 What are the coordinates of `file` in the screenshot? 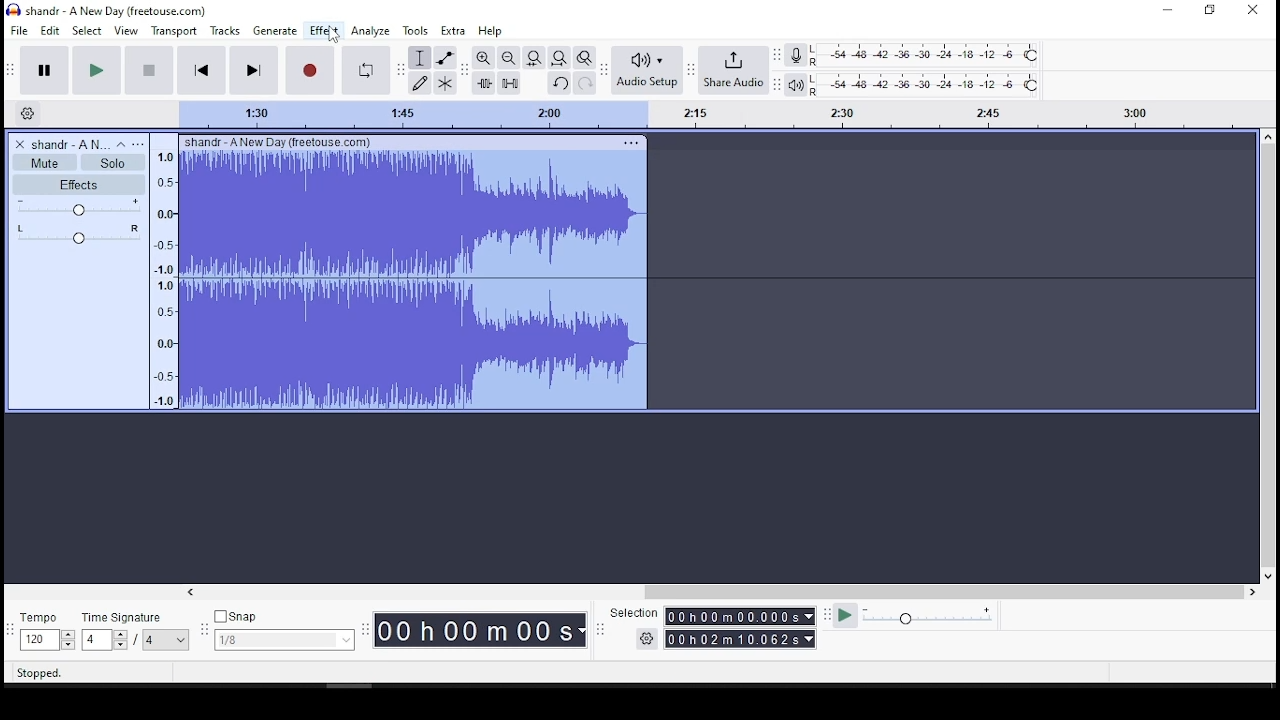 It's located at (18, 30).